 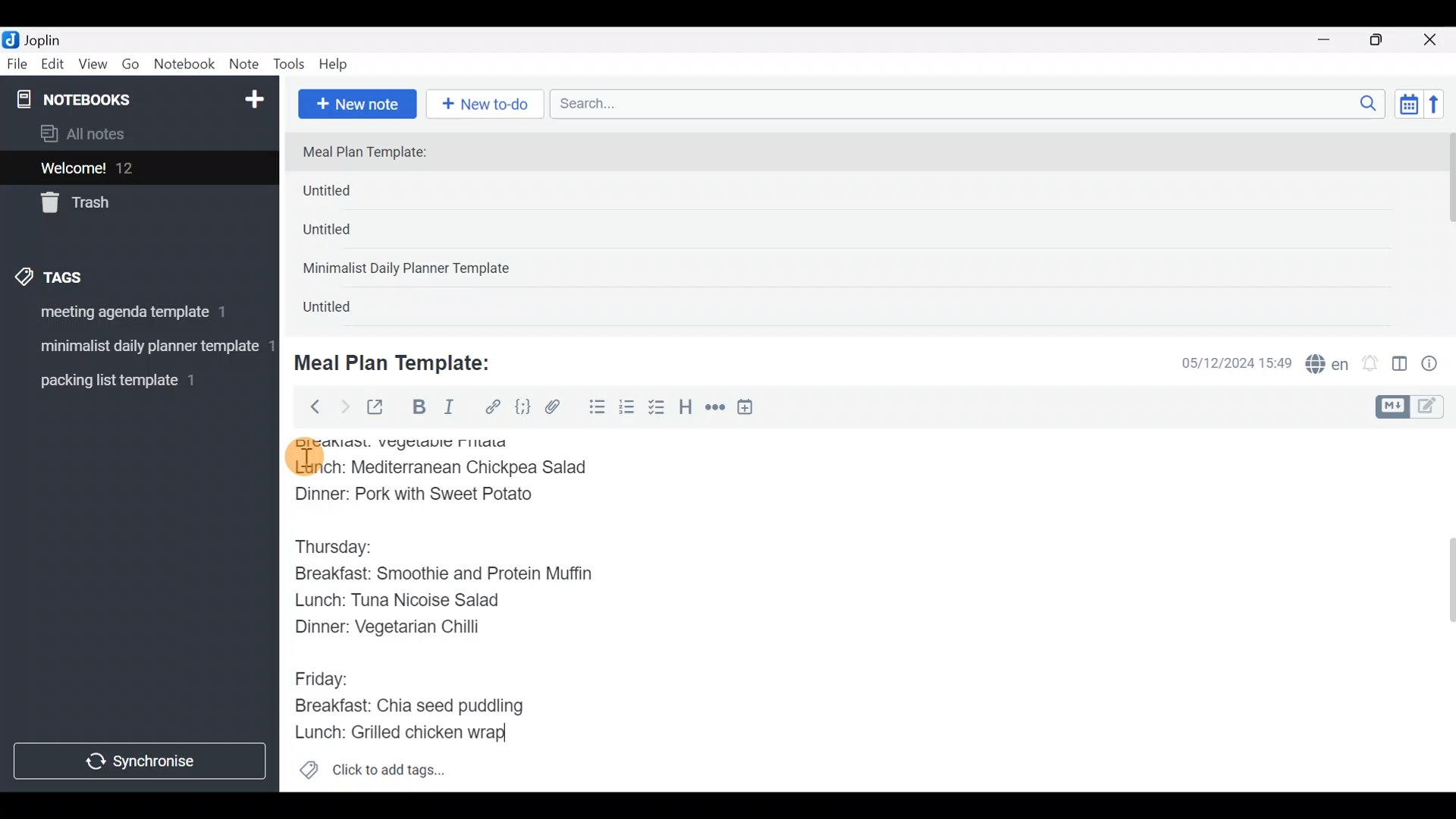 I want to click on Friday:, so click(x=326, y=674).